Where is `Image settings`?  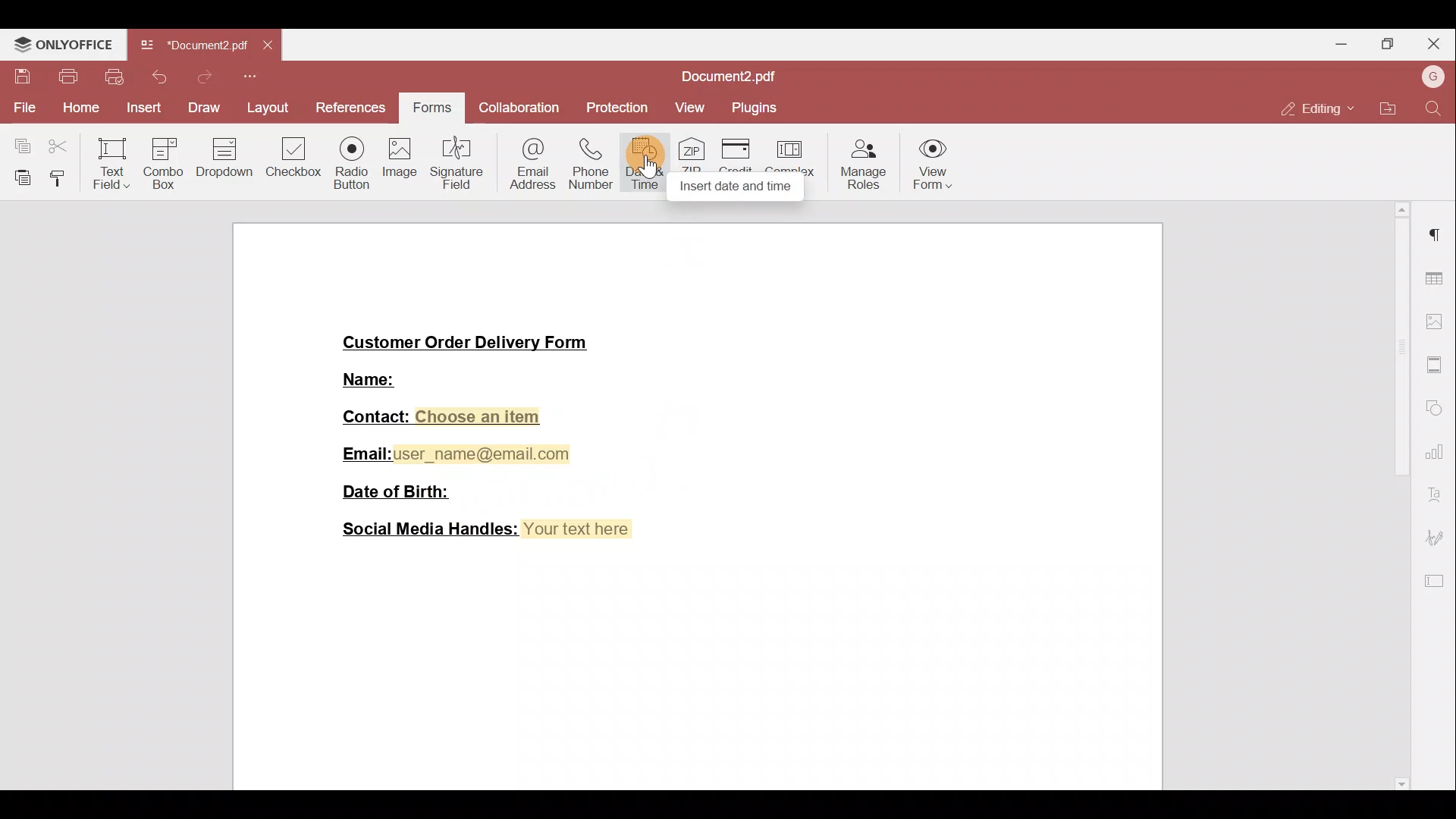
Image settings is located at coordinates (1438, 324).